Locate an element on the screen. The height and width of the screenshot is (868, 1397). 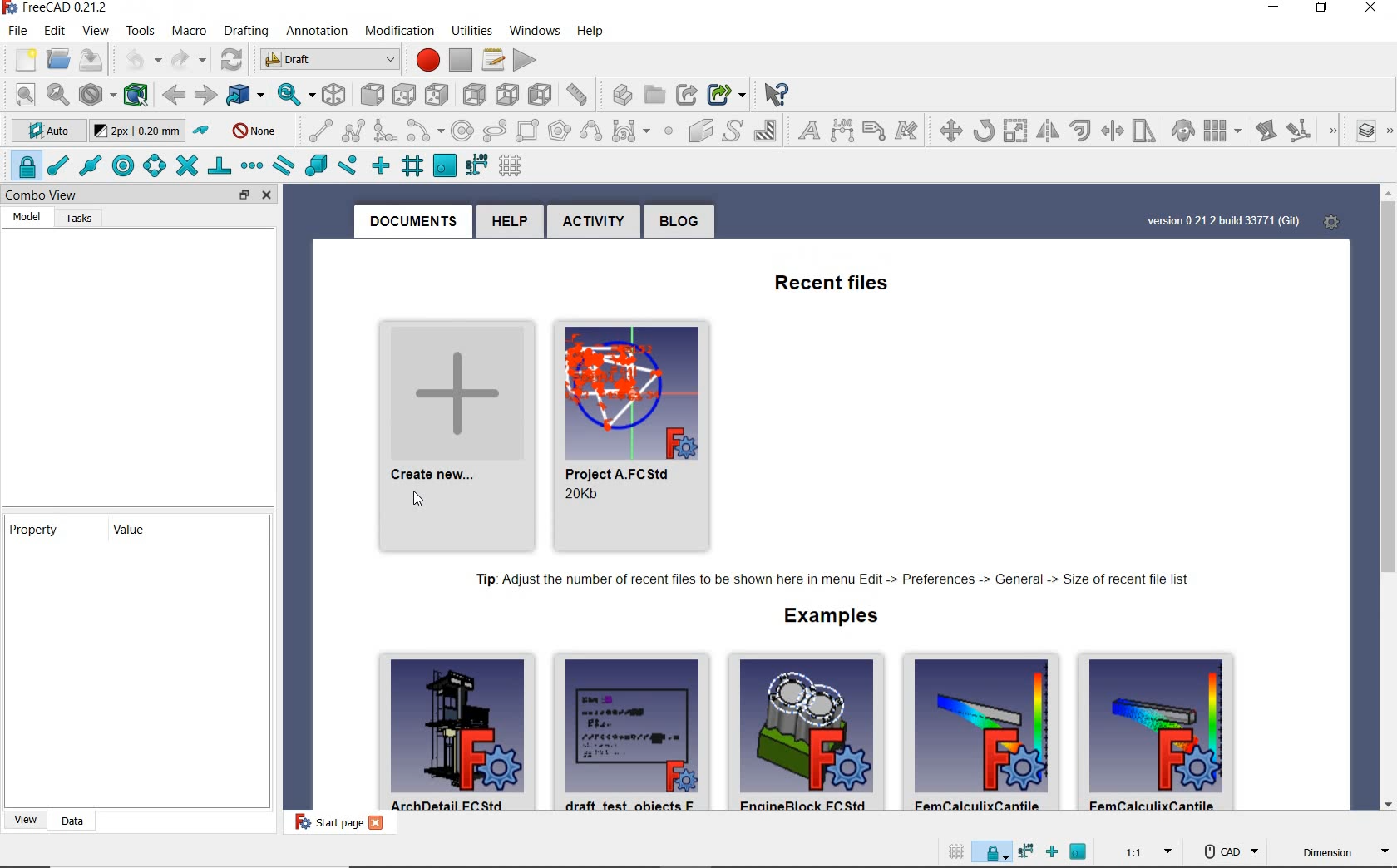
edit is located at coordinates (52, 30).